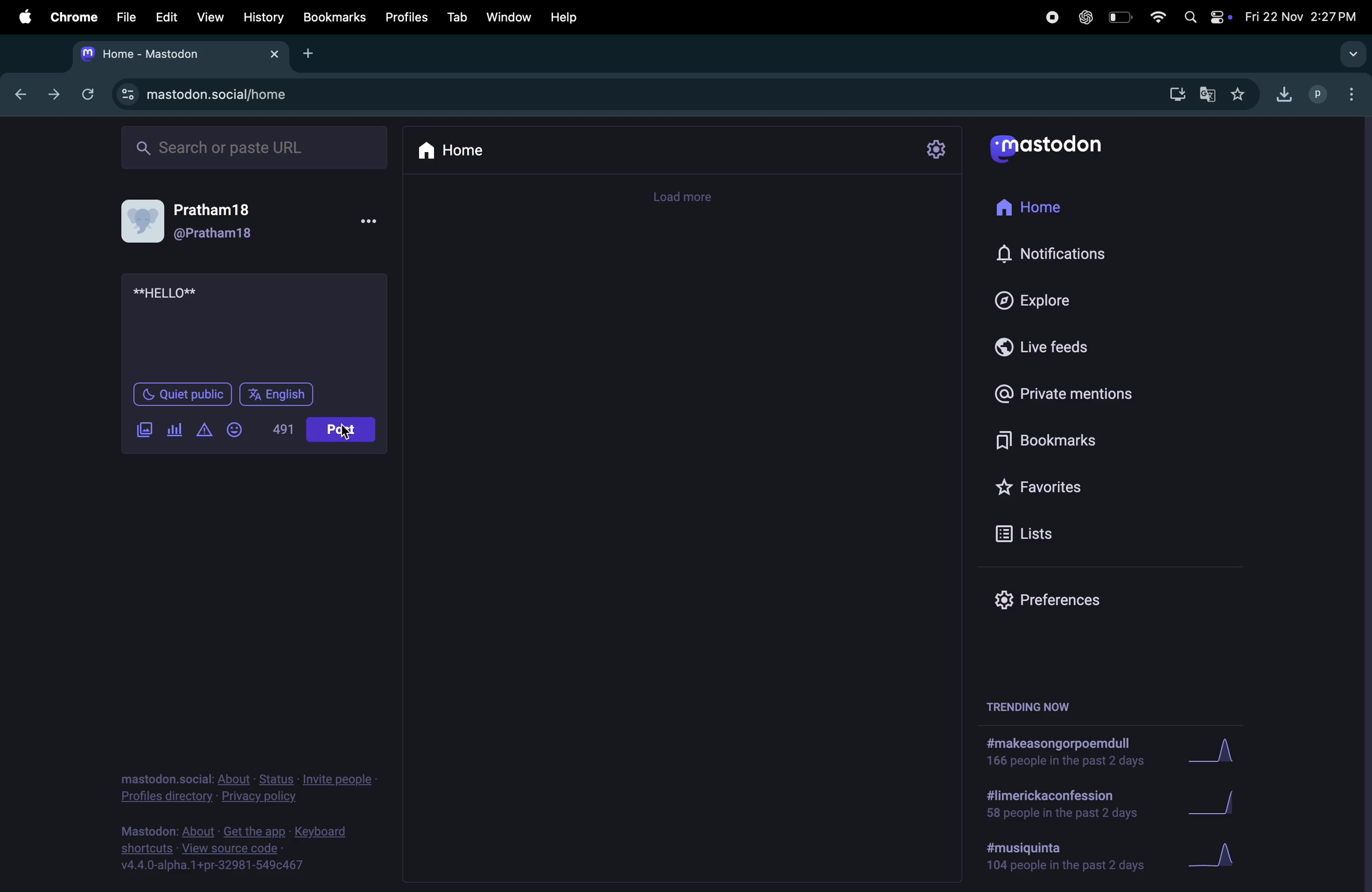  Describe the element at coordinates (404, 16) in the screenshot. I see `profiles` at that location.